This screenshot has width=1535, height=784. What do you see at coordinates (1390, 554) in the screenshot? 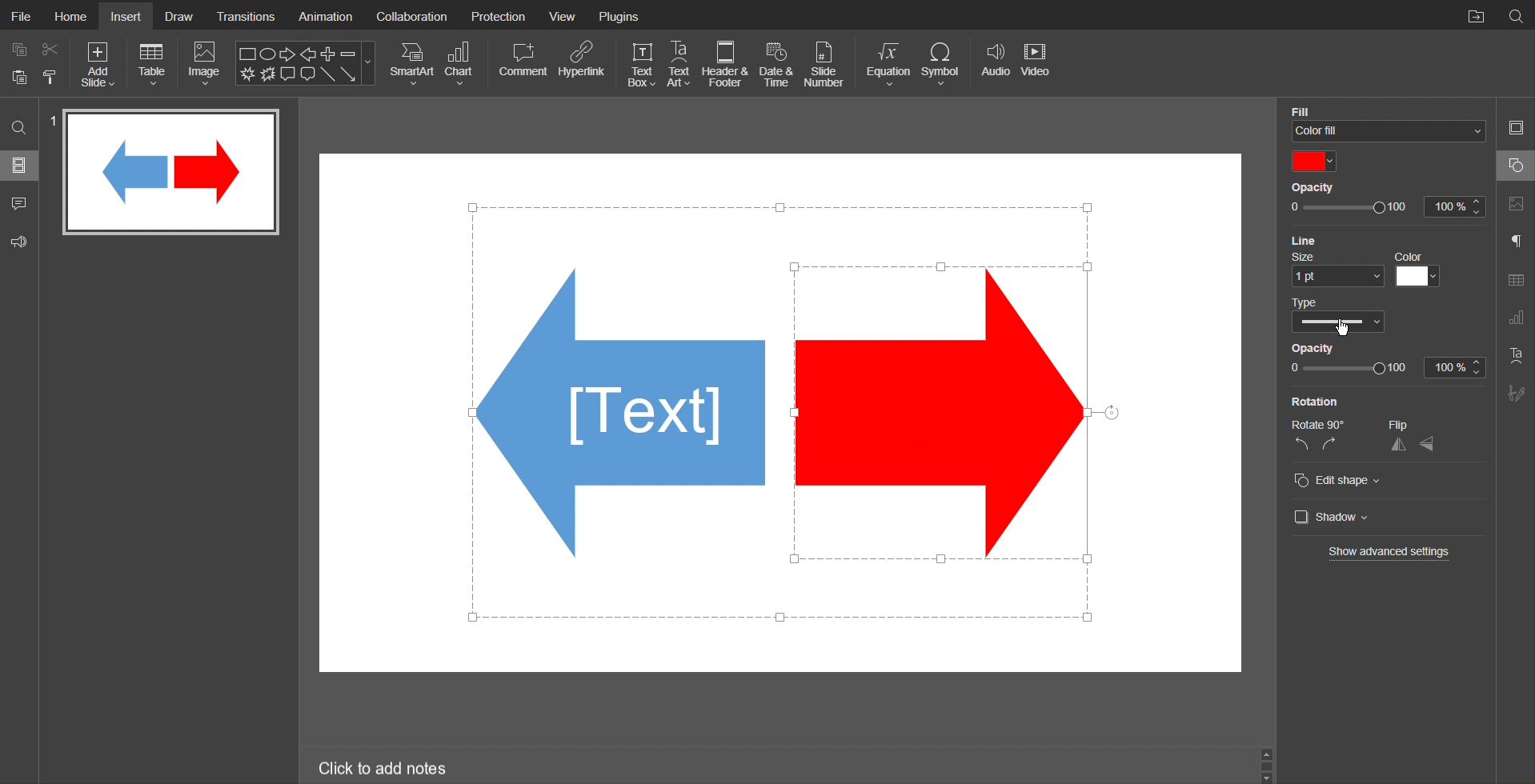
I see `Show advanced settings` at bounding box center [1390, 554].